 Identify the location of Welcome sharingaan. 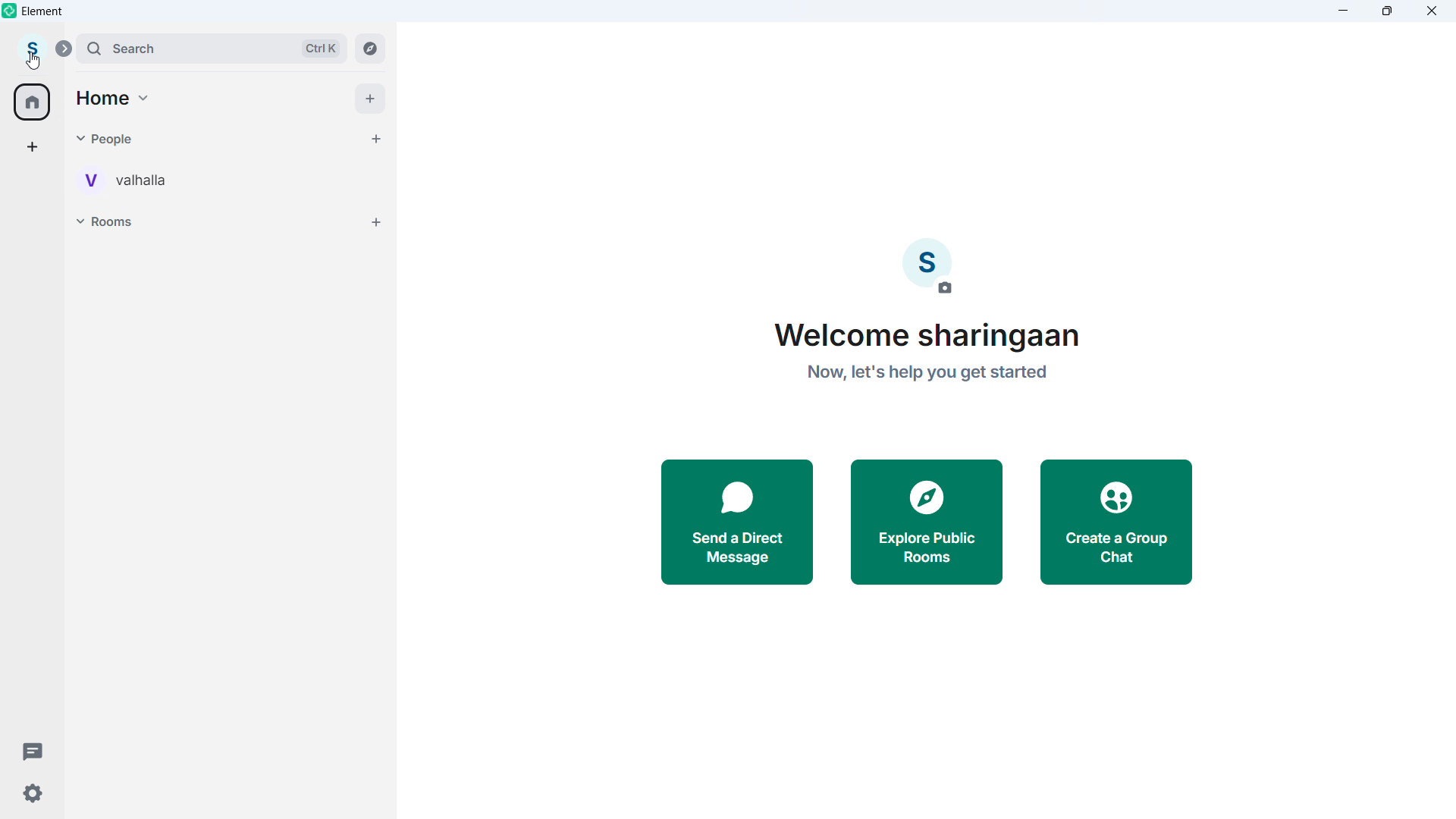
(933, 337).